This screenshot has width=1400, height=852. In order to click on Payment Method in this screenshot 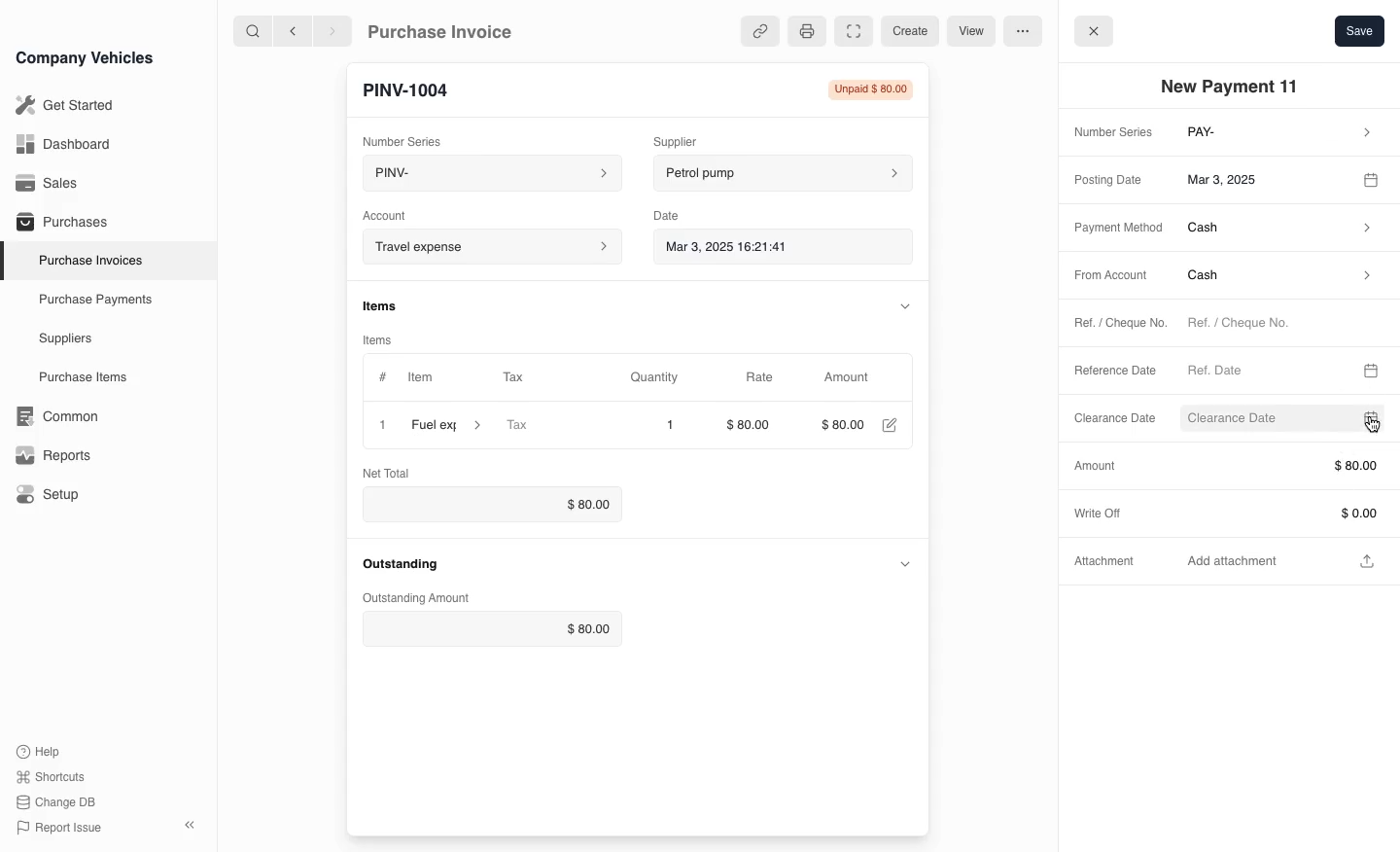, I will do `click(1112, 229)`.